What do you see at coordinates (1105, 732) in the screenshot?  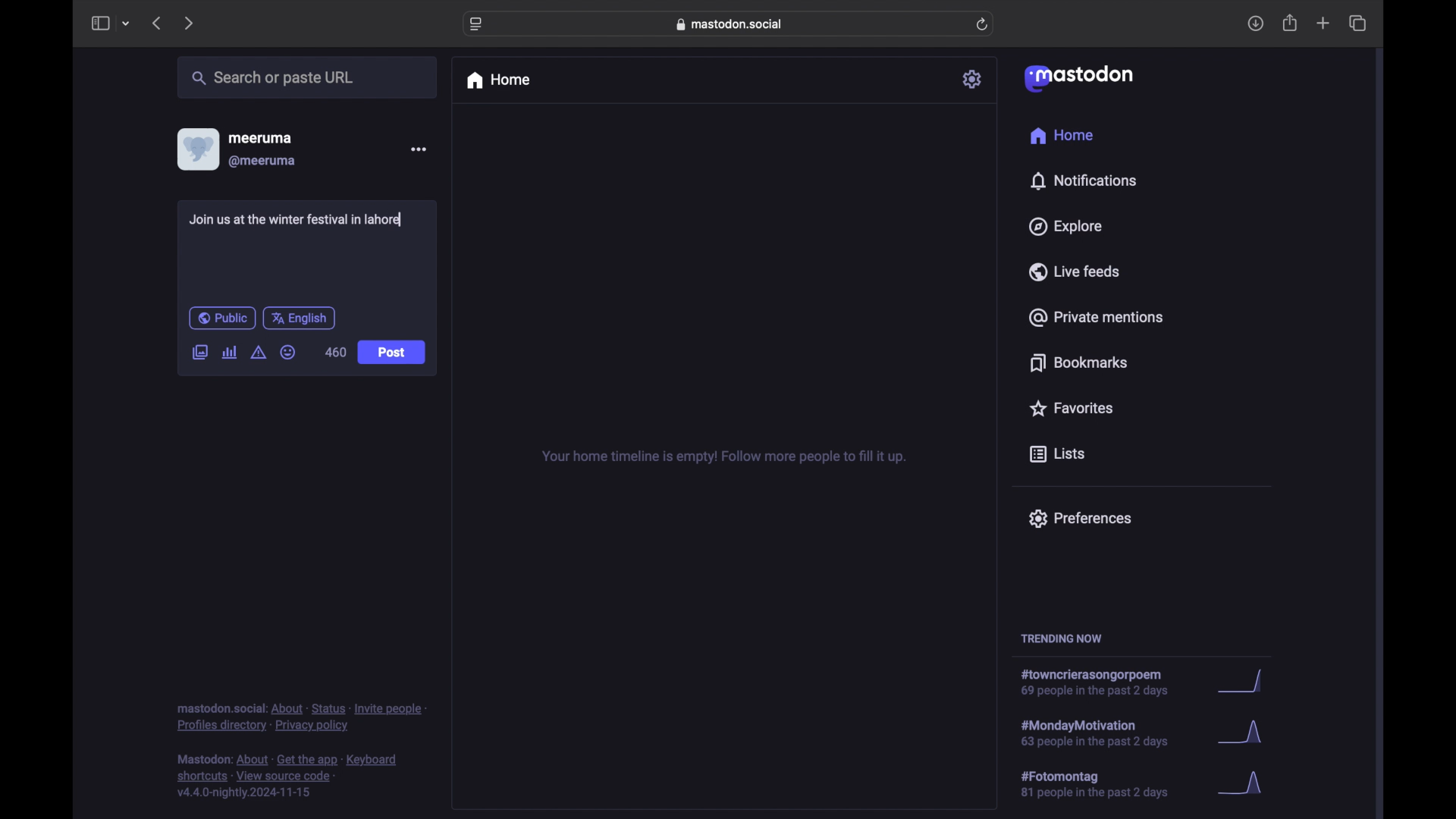 I see `hashtag trend` at bounding box center [1105, 732].